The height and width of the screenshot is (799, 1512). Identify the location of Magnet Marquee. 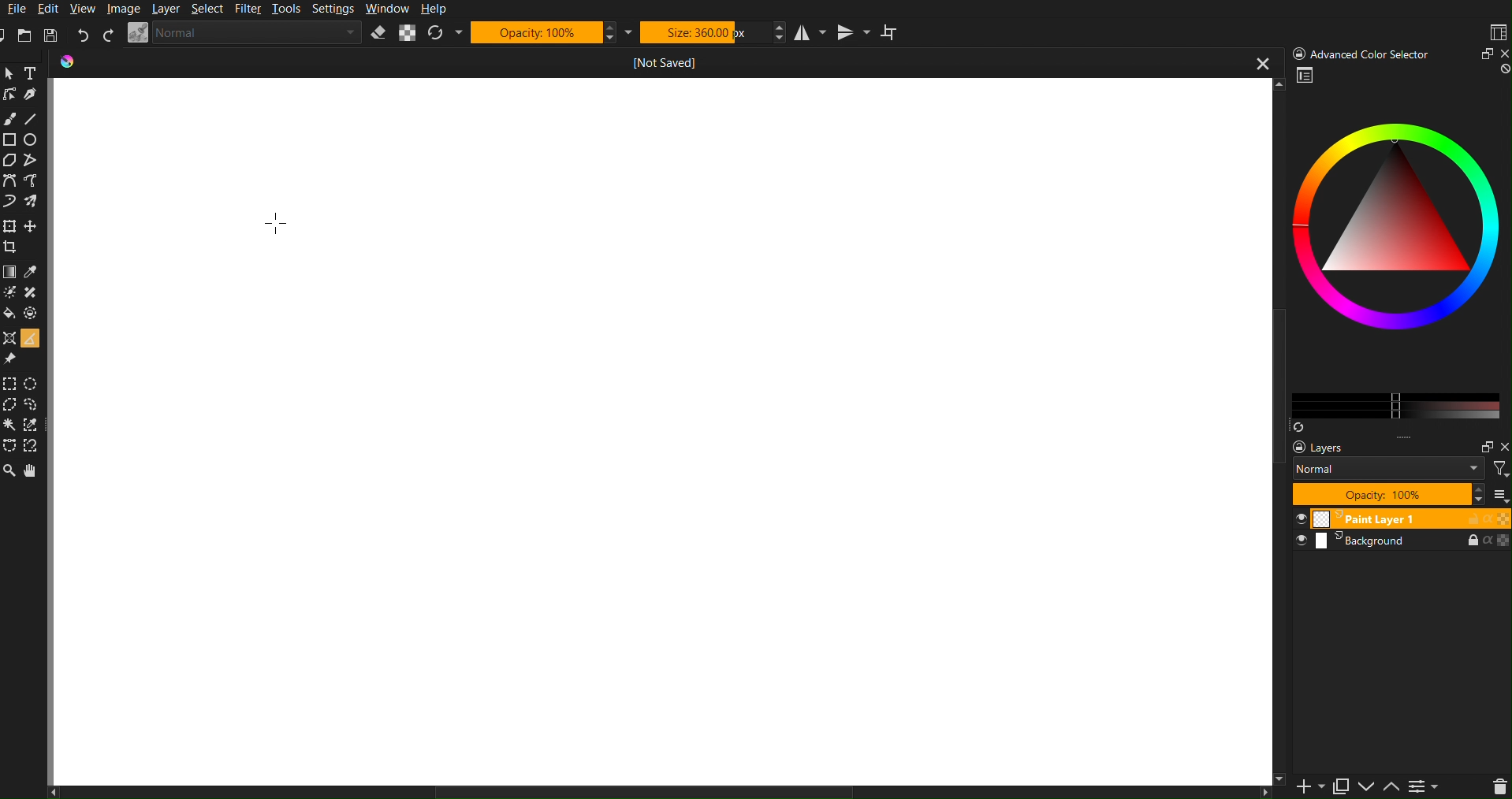
(32, 448).